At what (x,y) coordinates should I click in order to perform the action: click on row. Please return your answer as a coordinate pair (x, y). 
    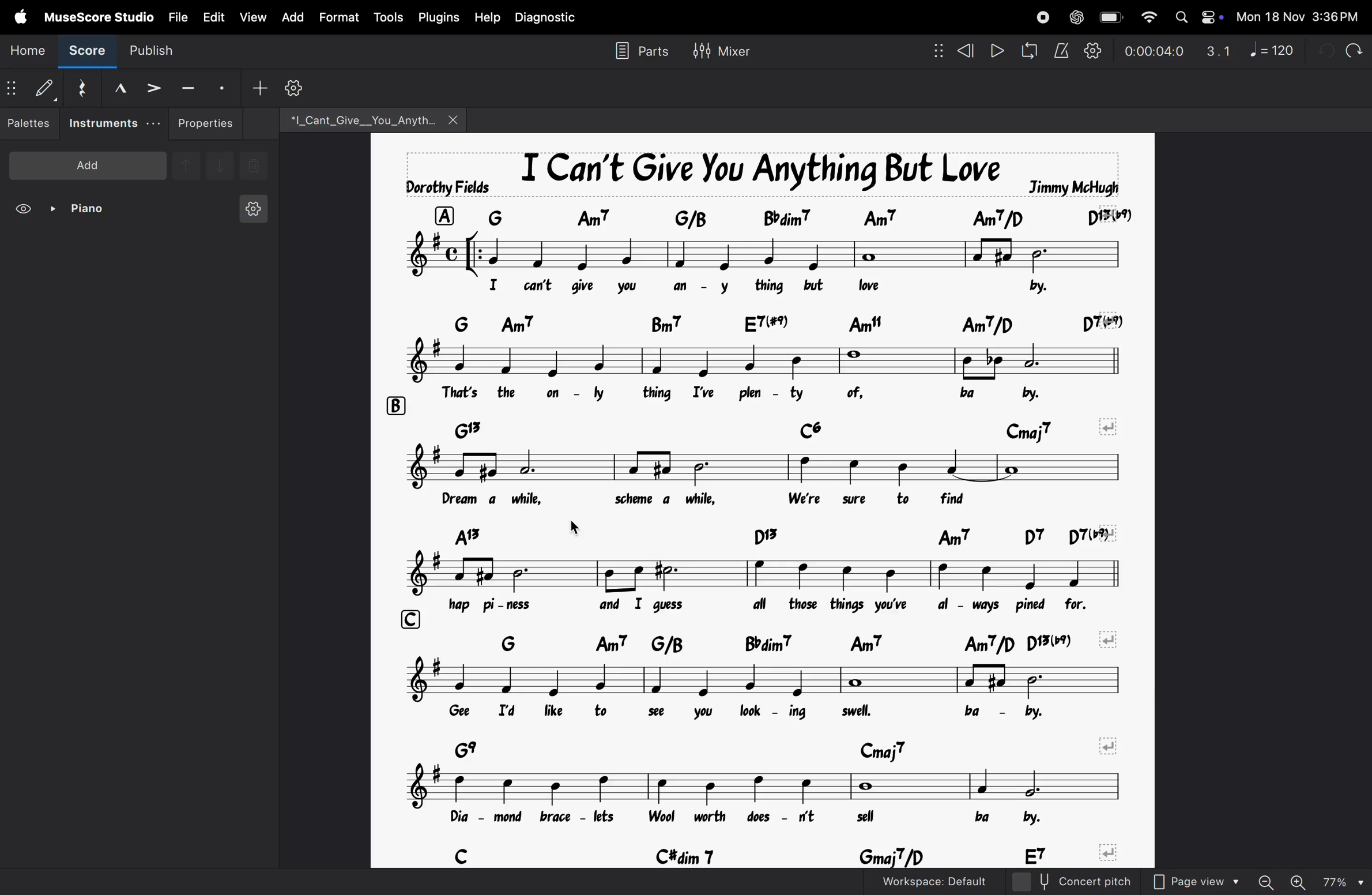
    Looking at the image, I should click on (416, 619).